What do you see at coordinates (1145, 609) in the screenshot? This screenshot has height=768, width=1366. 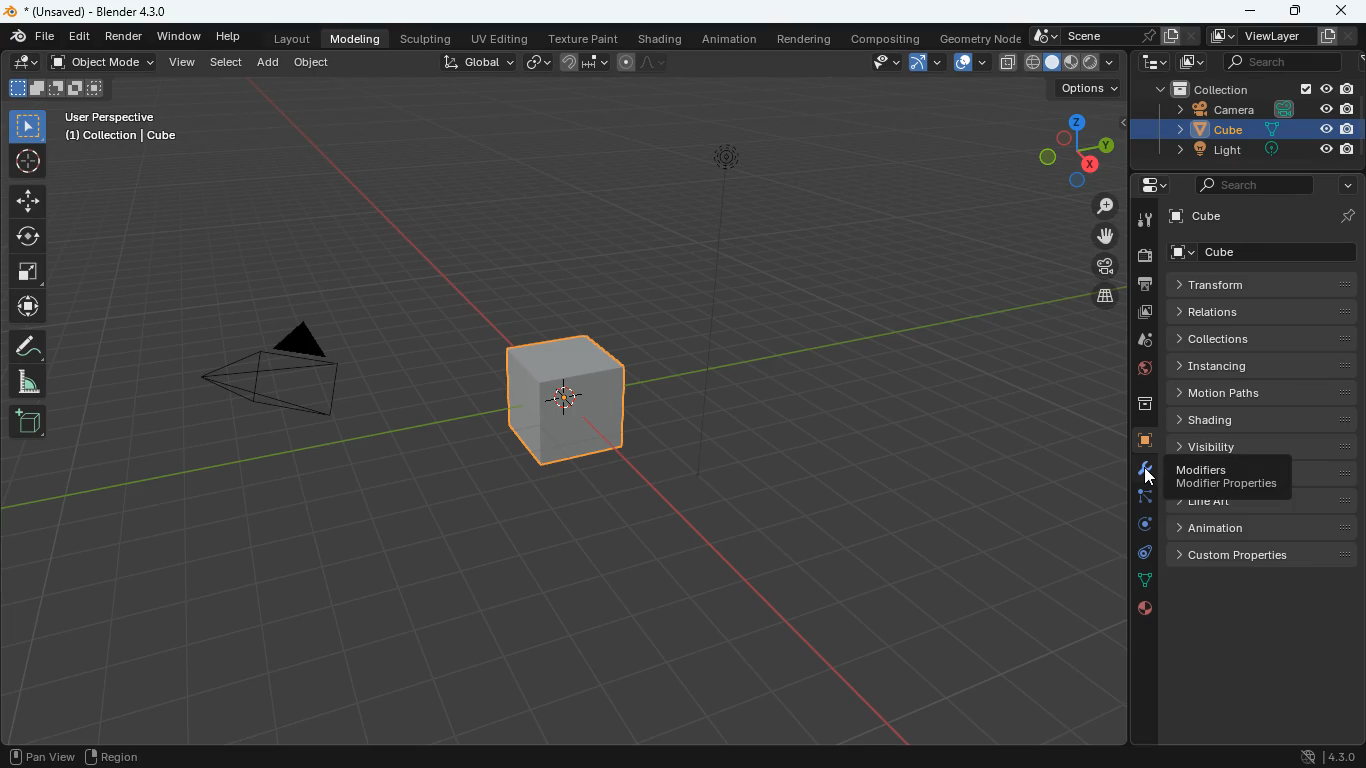 I see `public` at bounding box center [1145, 609].